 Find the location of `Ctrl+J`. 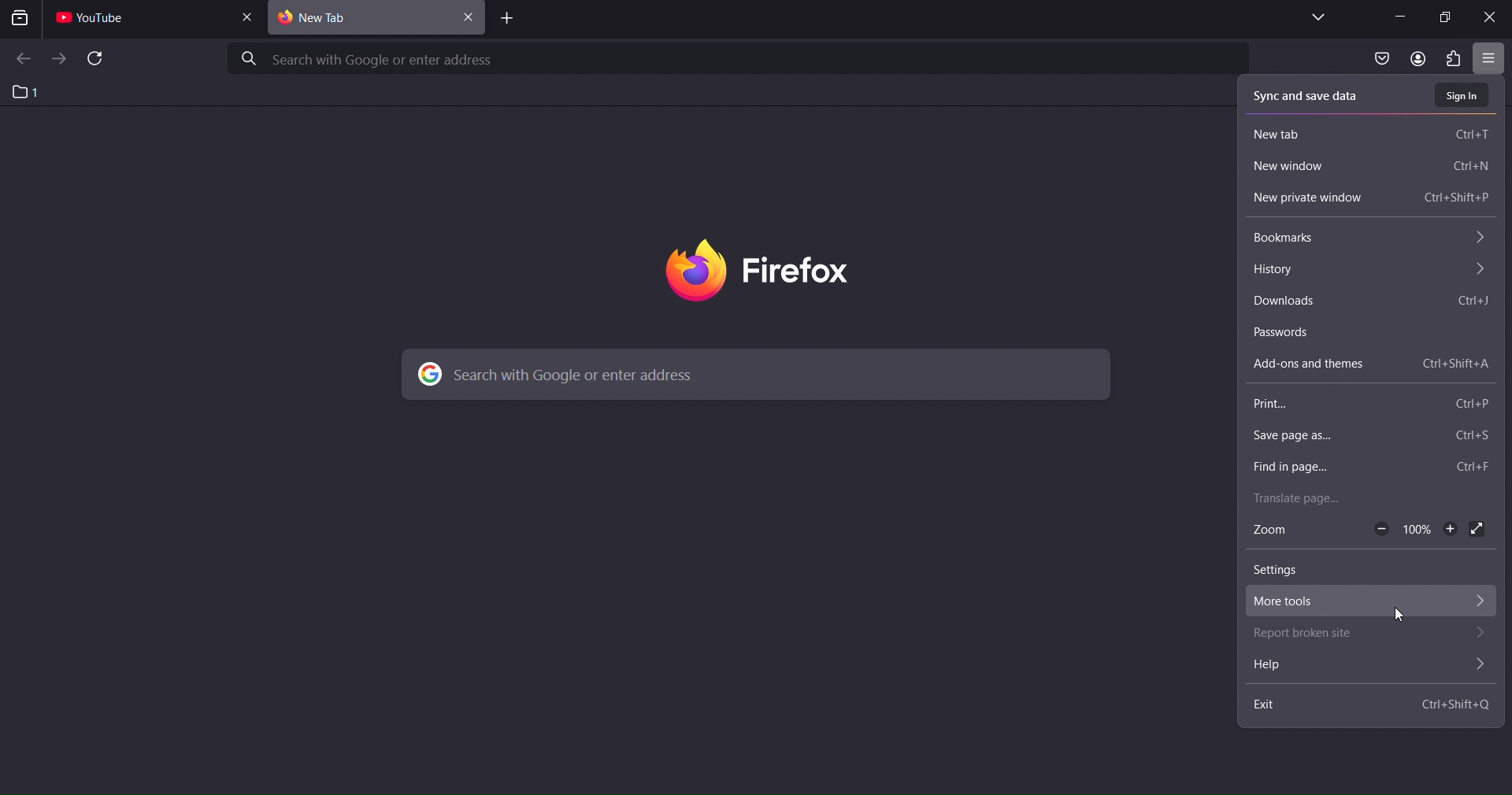

Ctrl+J is located at coordinates (1471, 303).